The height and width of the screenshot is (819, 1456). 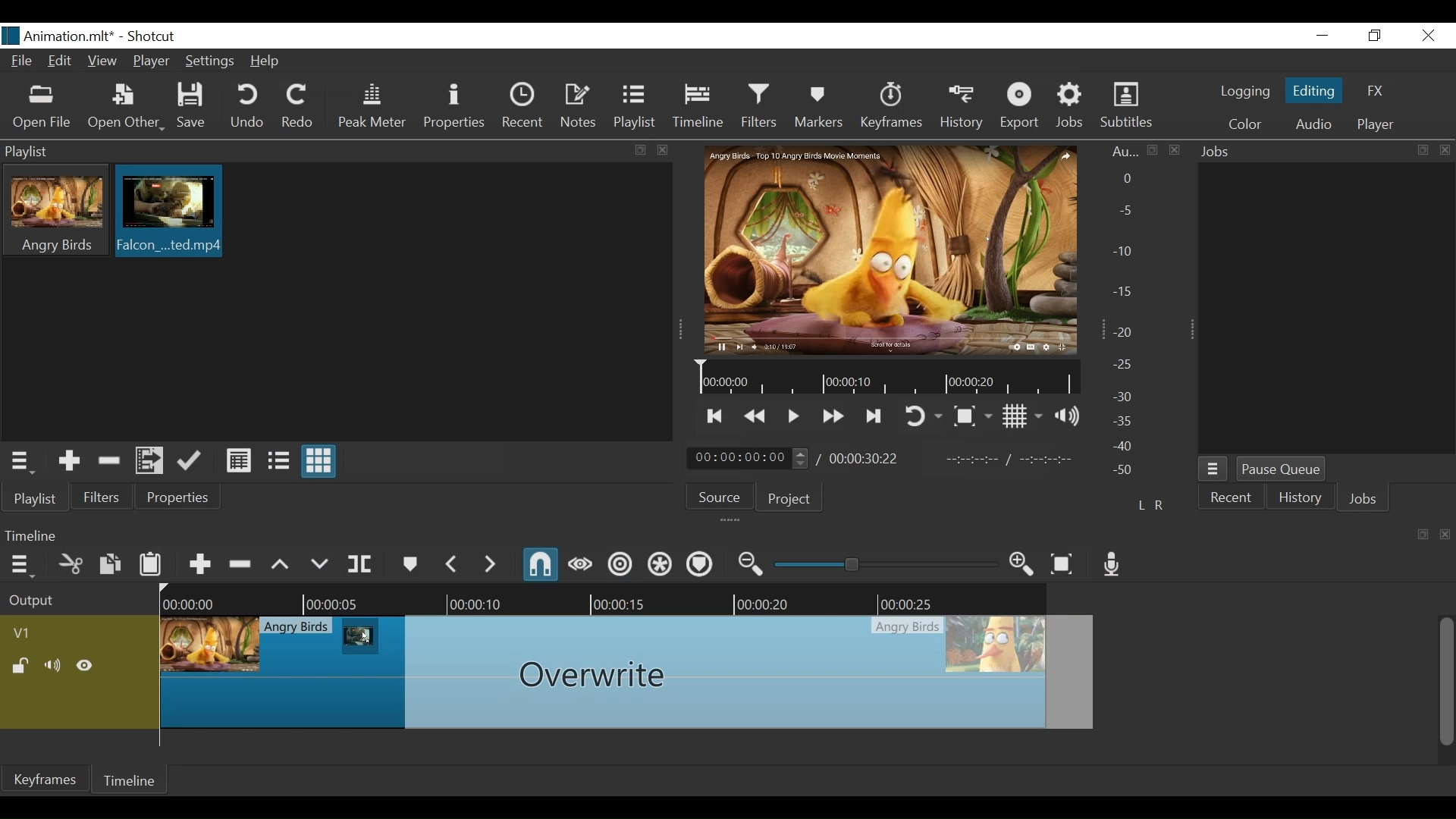 What do you see at coordinates (300, 108) in the screenshot?
I see `Redo` at bounding box center [300, 108].